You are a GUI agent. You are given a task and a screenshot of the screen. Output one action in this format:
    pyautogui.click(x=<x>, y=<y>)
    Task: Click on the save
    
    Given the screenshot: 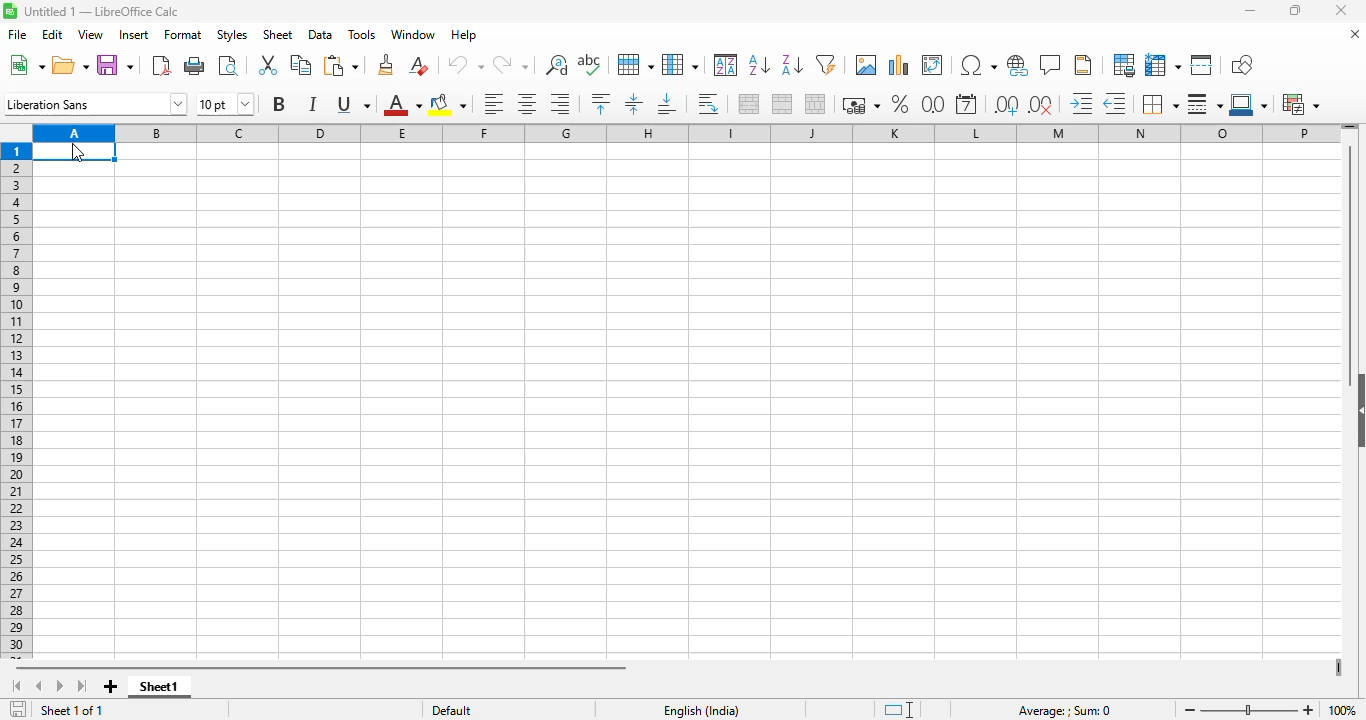 What is the action you would take?
    pyautogui.click(x=114, y=66)
    